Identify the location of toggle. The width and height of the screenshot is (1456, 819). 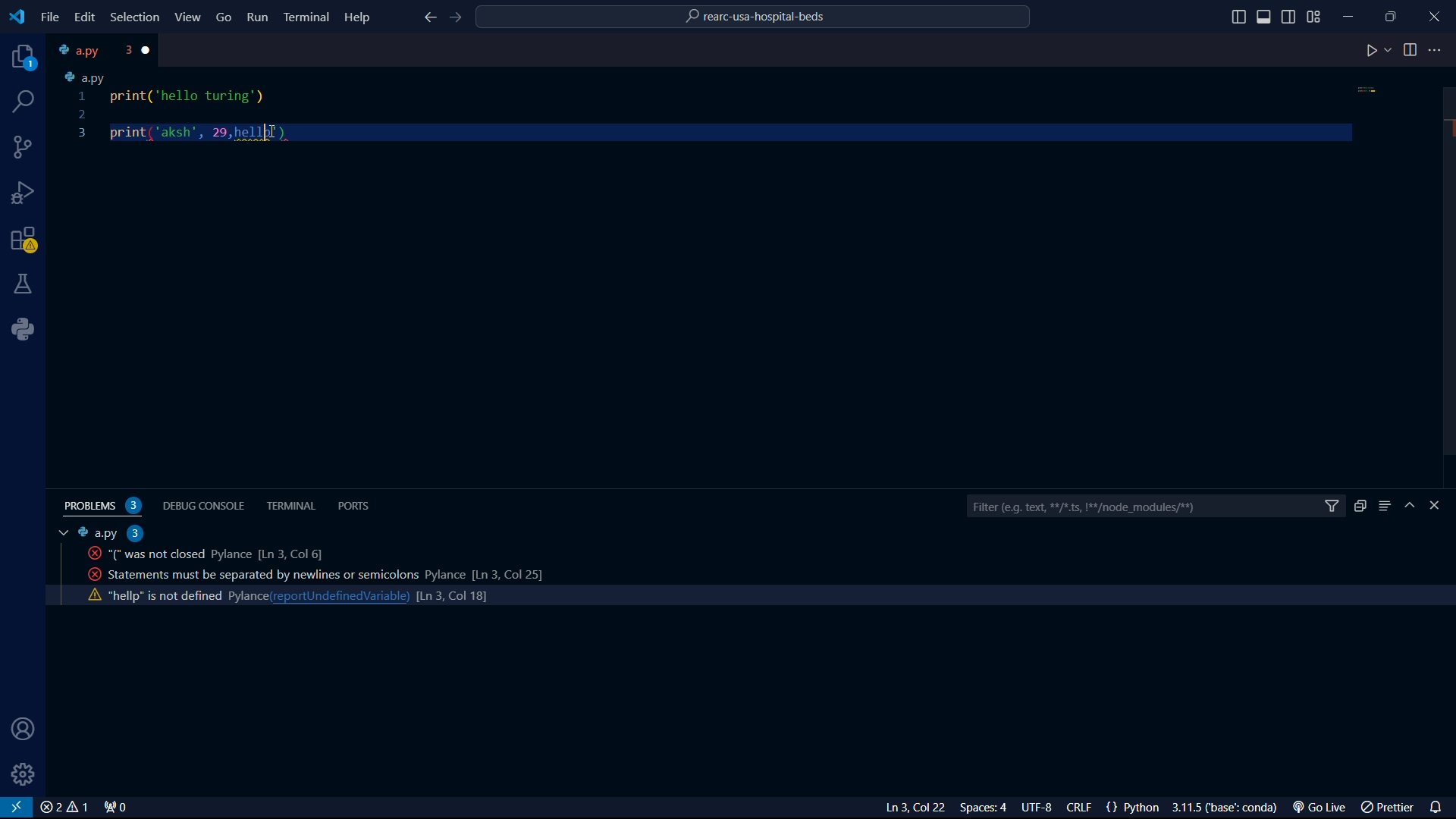
(1410, 50).